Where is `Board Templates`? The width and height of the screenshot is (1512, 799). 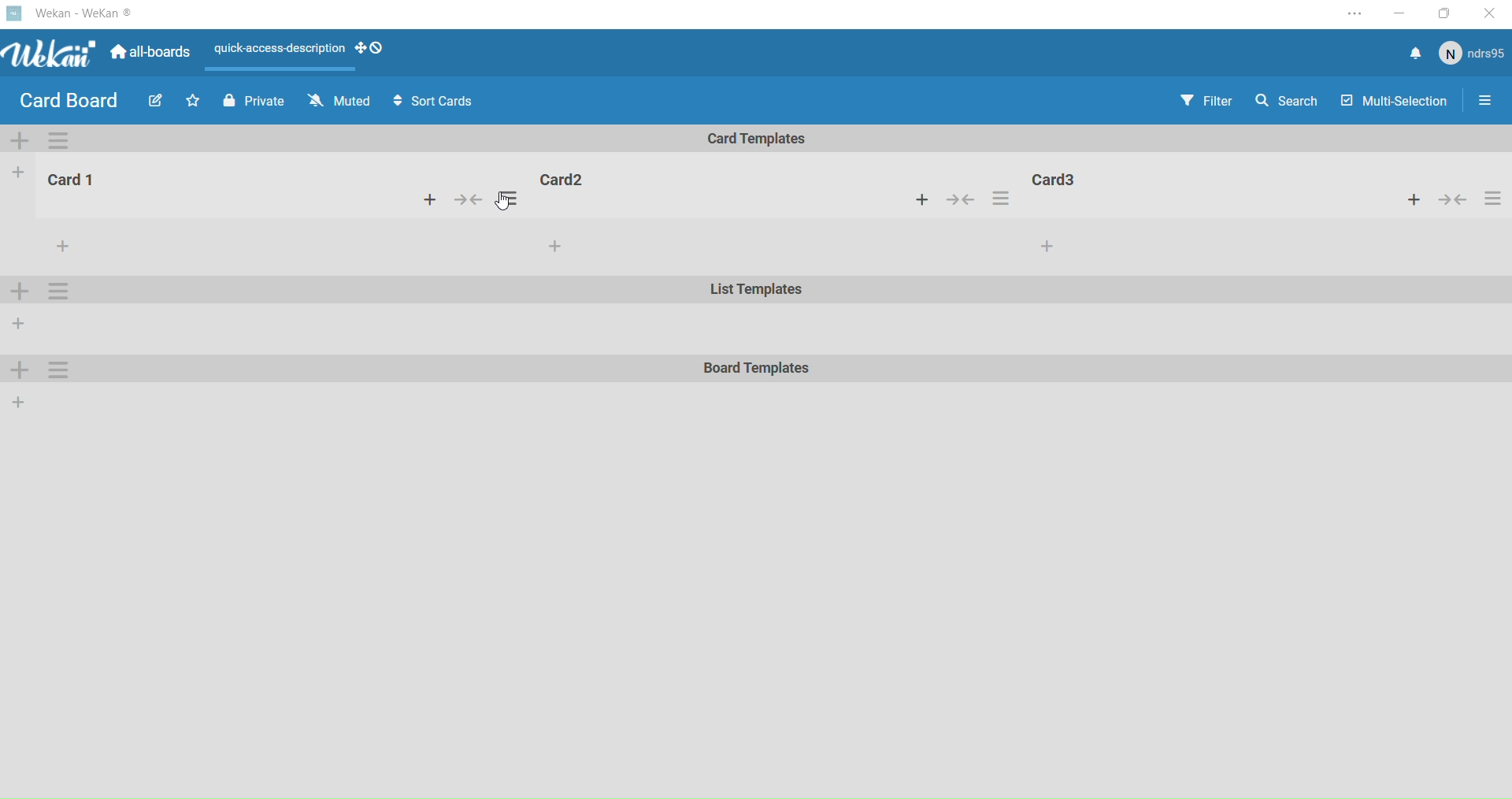 Board Templates is located at coordinates (754, 370).